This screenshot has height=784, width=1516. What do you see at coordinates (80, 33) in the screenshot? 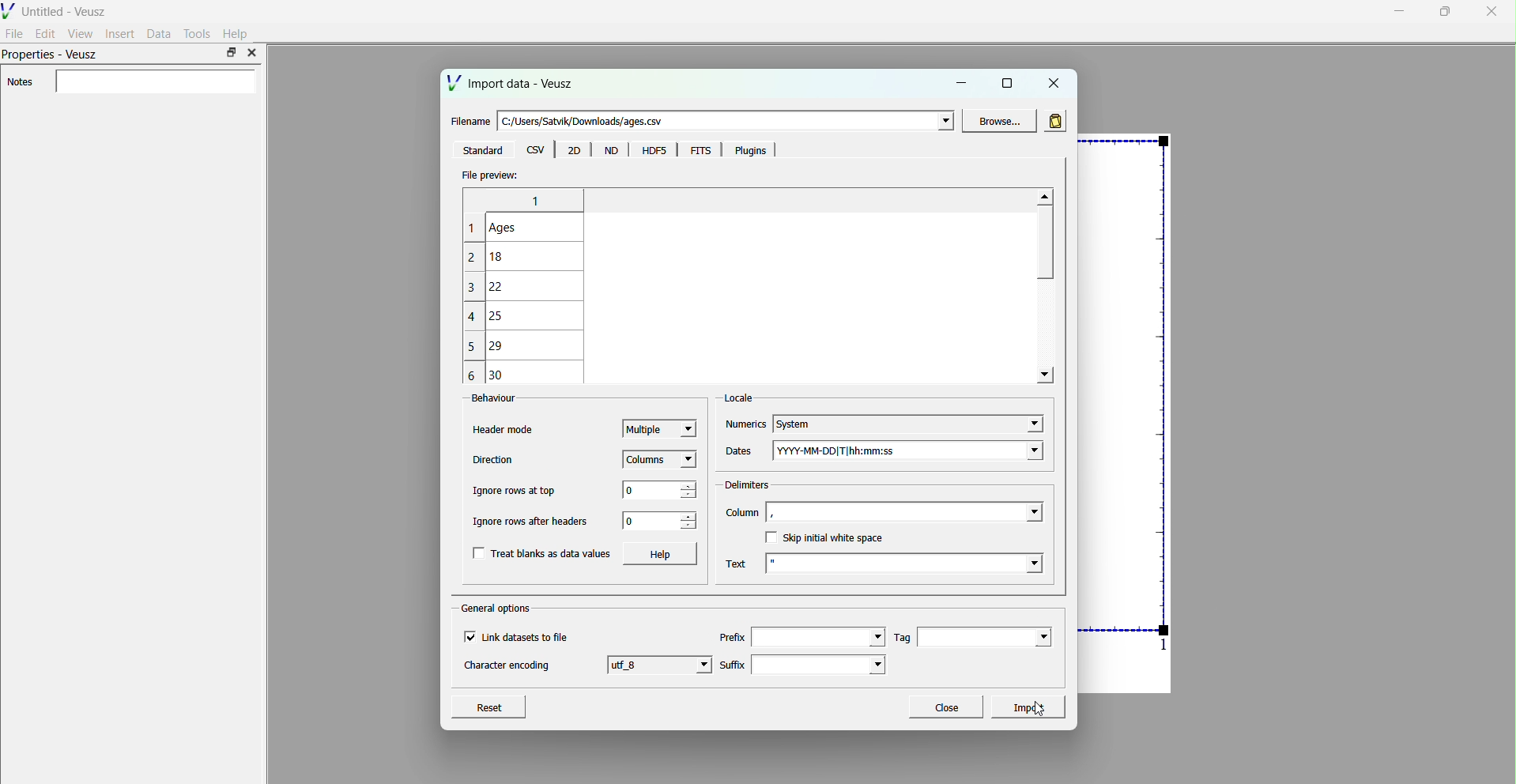
I see `View` at bounding box center [80, 33].